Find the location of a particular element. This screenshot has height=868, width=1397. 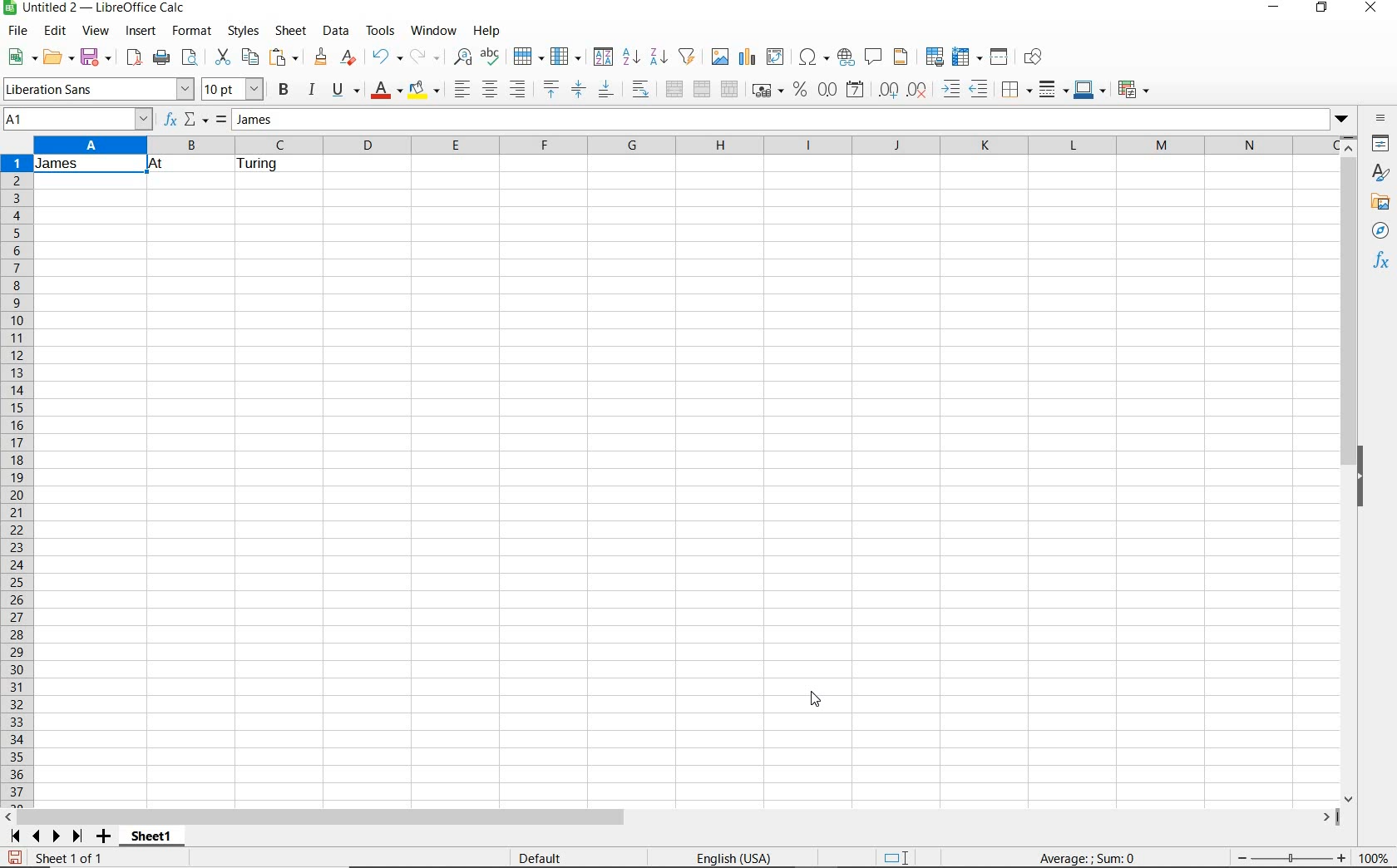

minimize is located at coordinates (1273, 9).